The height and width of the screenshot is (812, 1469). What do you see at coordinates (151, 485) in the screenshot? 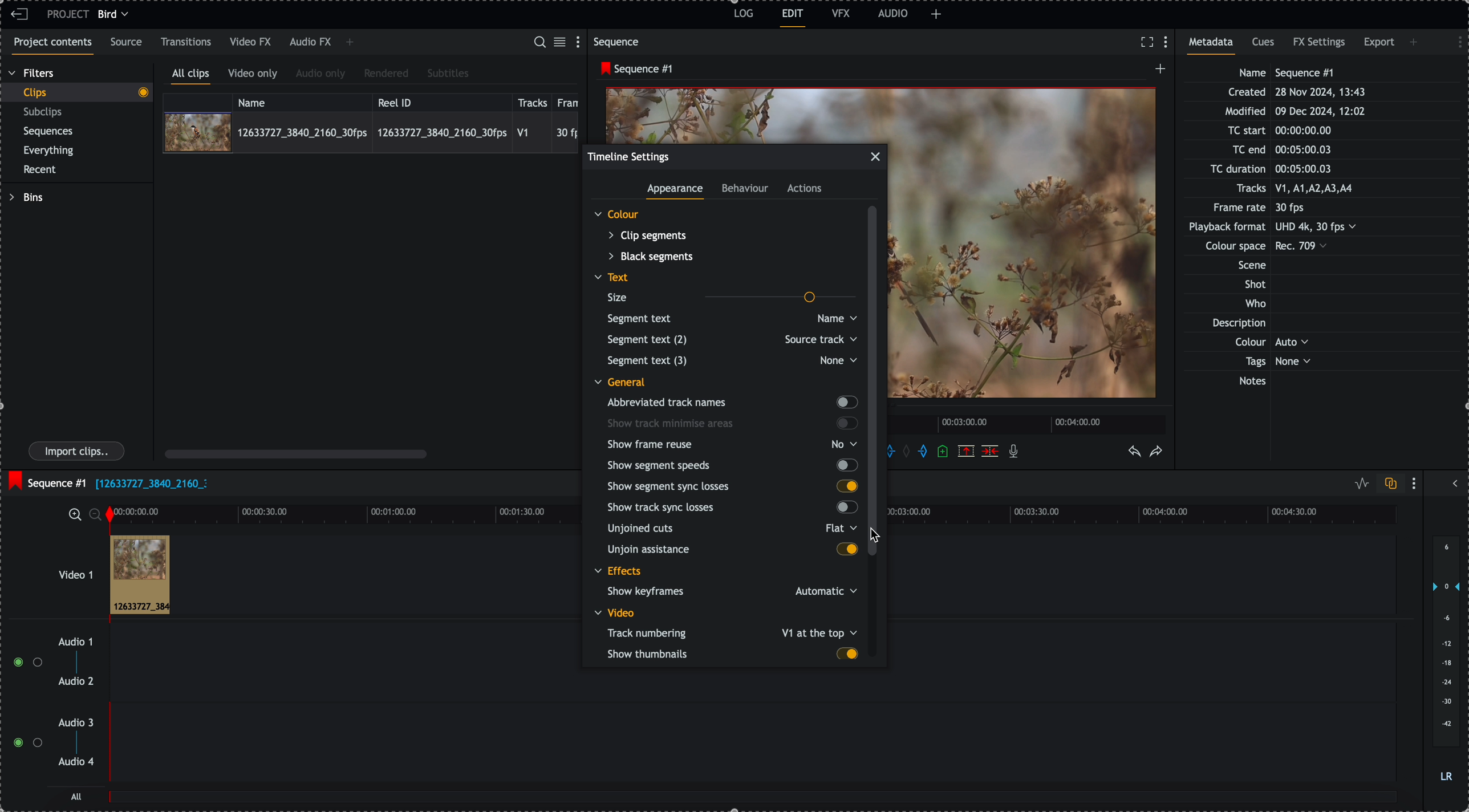
I see `file` at bounding box center [151, 485].